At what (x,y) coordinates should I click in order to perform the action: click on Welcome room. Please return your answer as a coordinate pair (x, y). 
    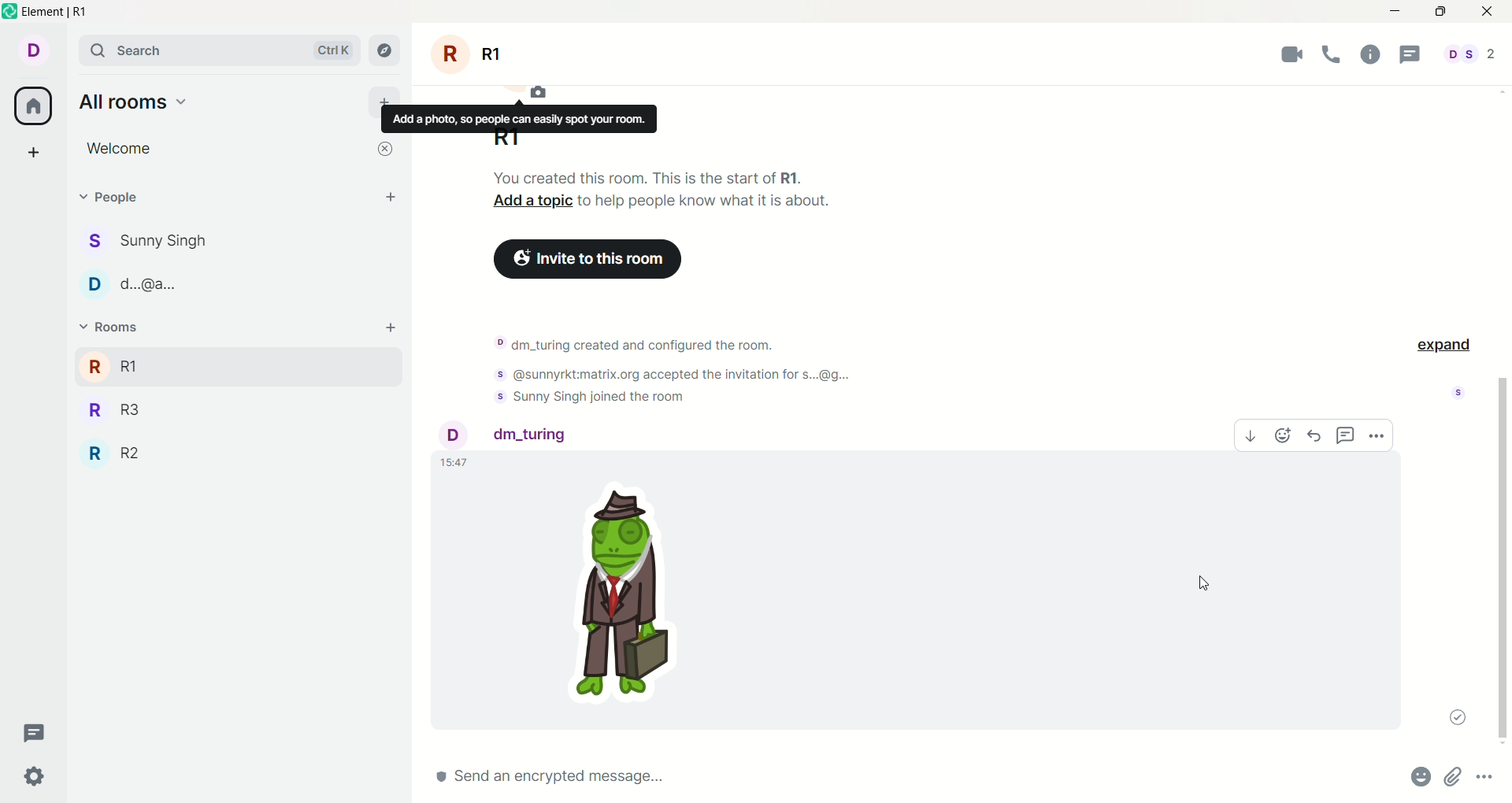
    Looking at the image, I should click on (224, 149).